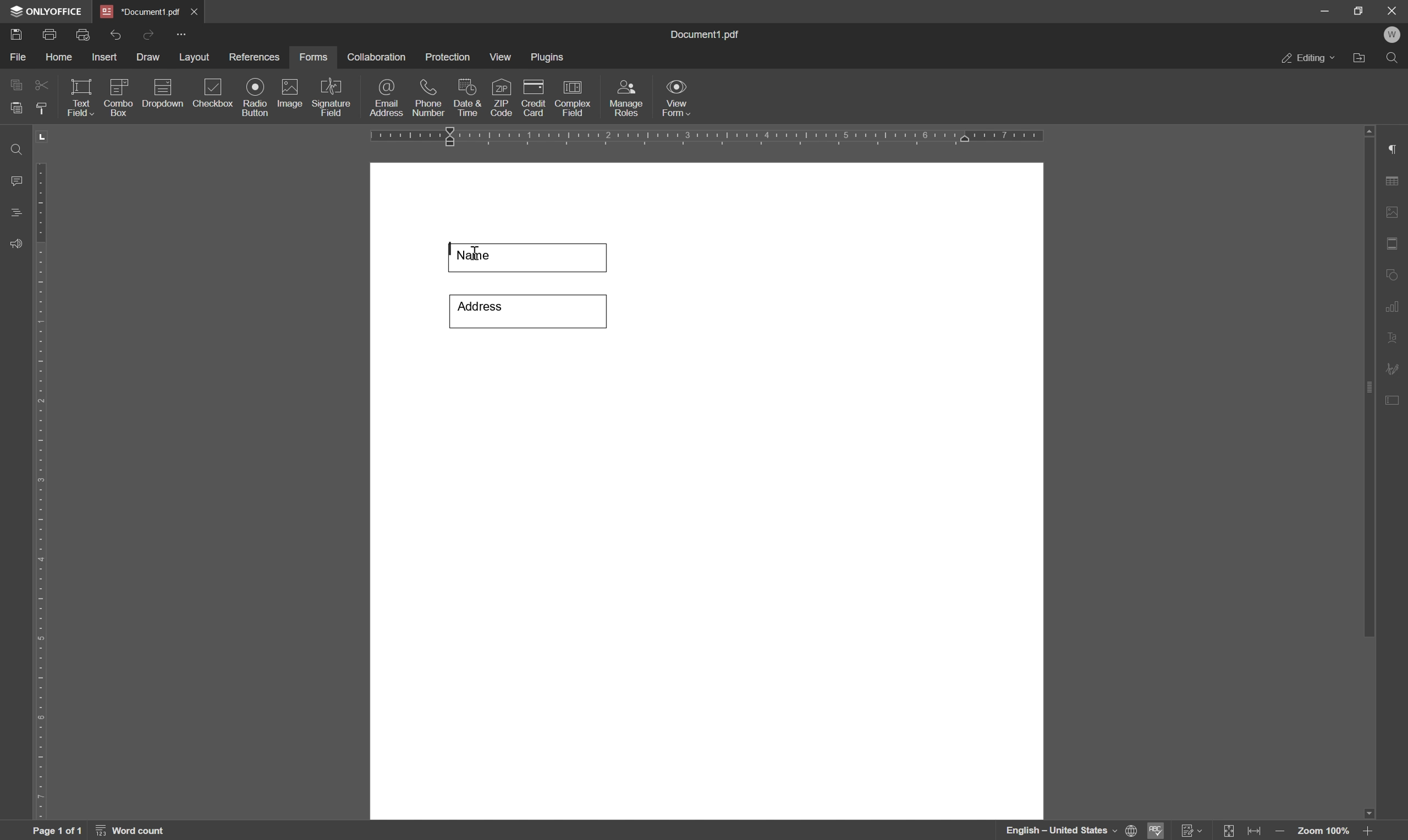  I want to click on close, so click(1392, 10).